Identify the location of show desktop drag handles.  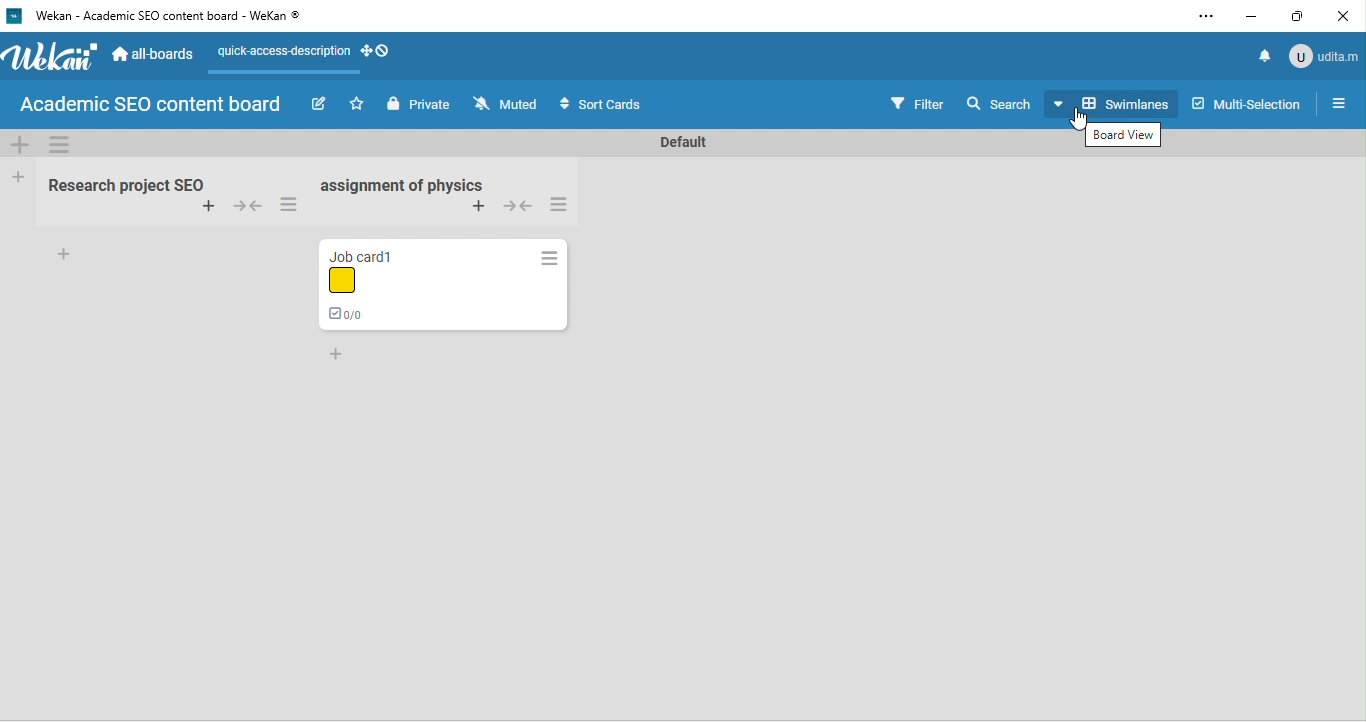
(376, 55).